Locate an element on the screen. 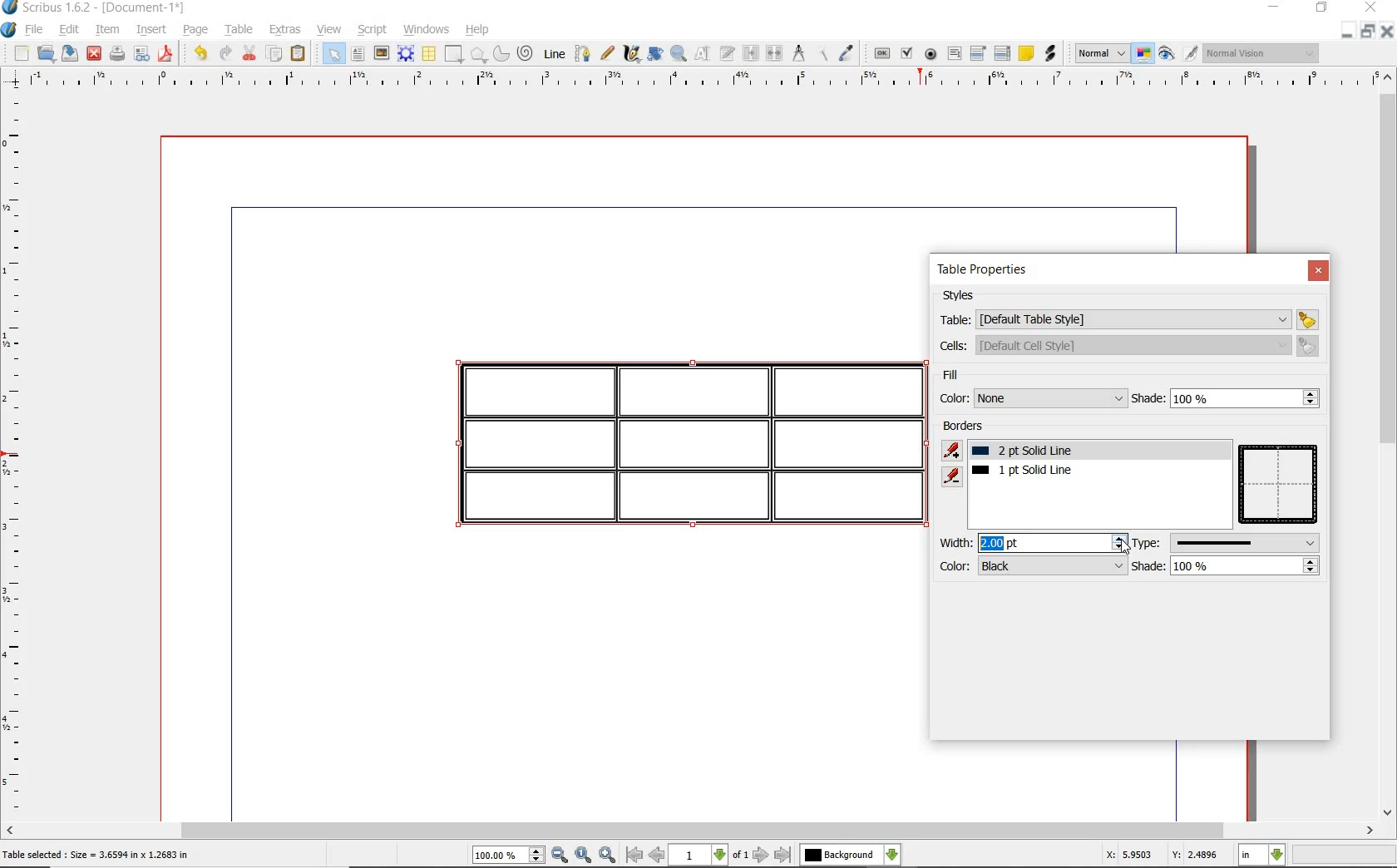  select current page is located at coordinates (709, 855).